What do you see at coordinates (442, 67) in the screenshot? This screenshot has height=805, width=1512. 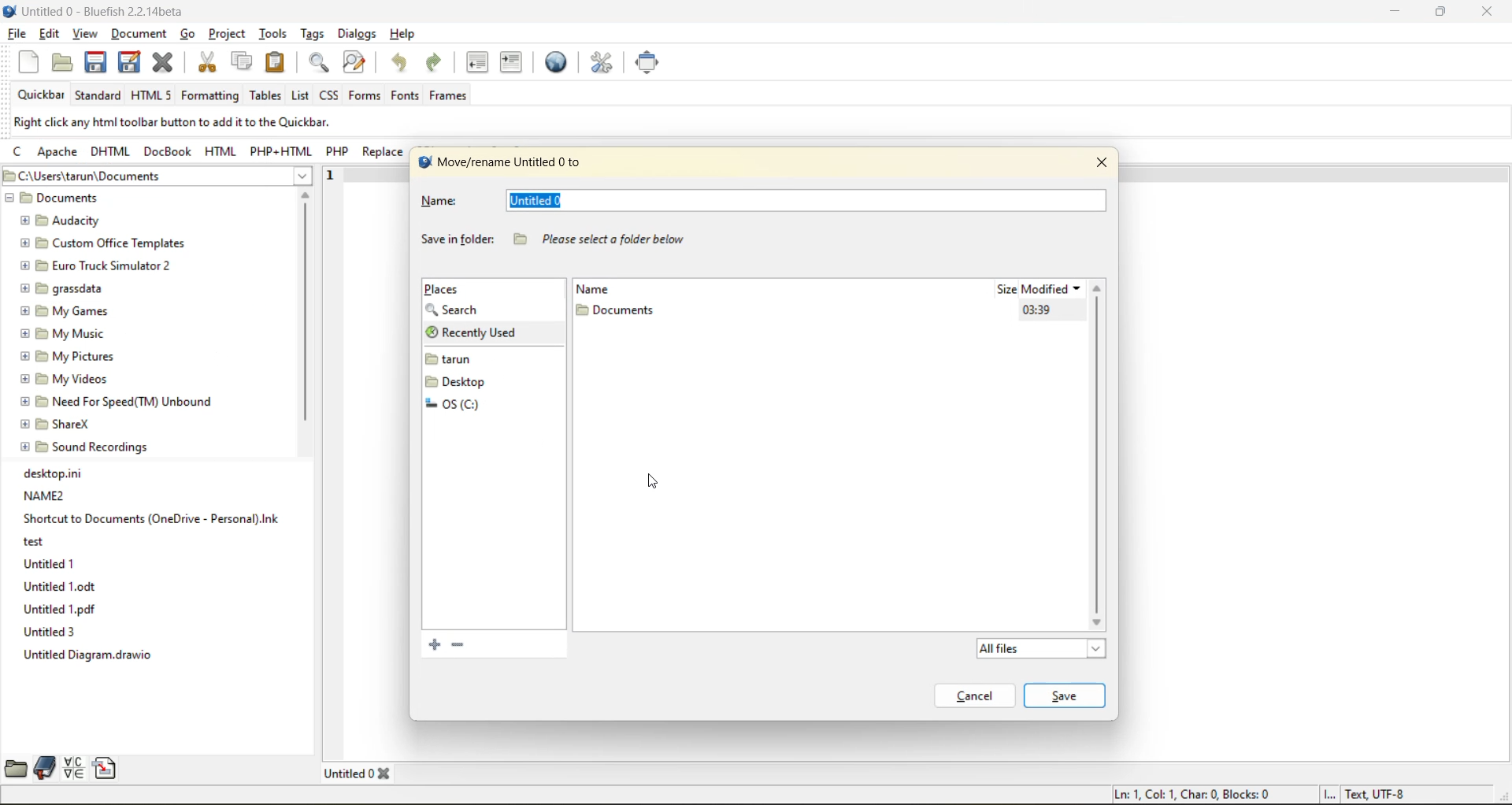 I see `redo` at bounding box center [442, 67].